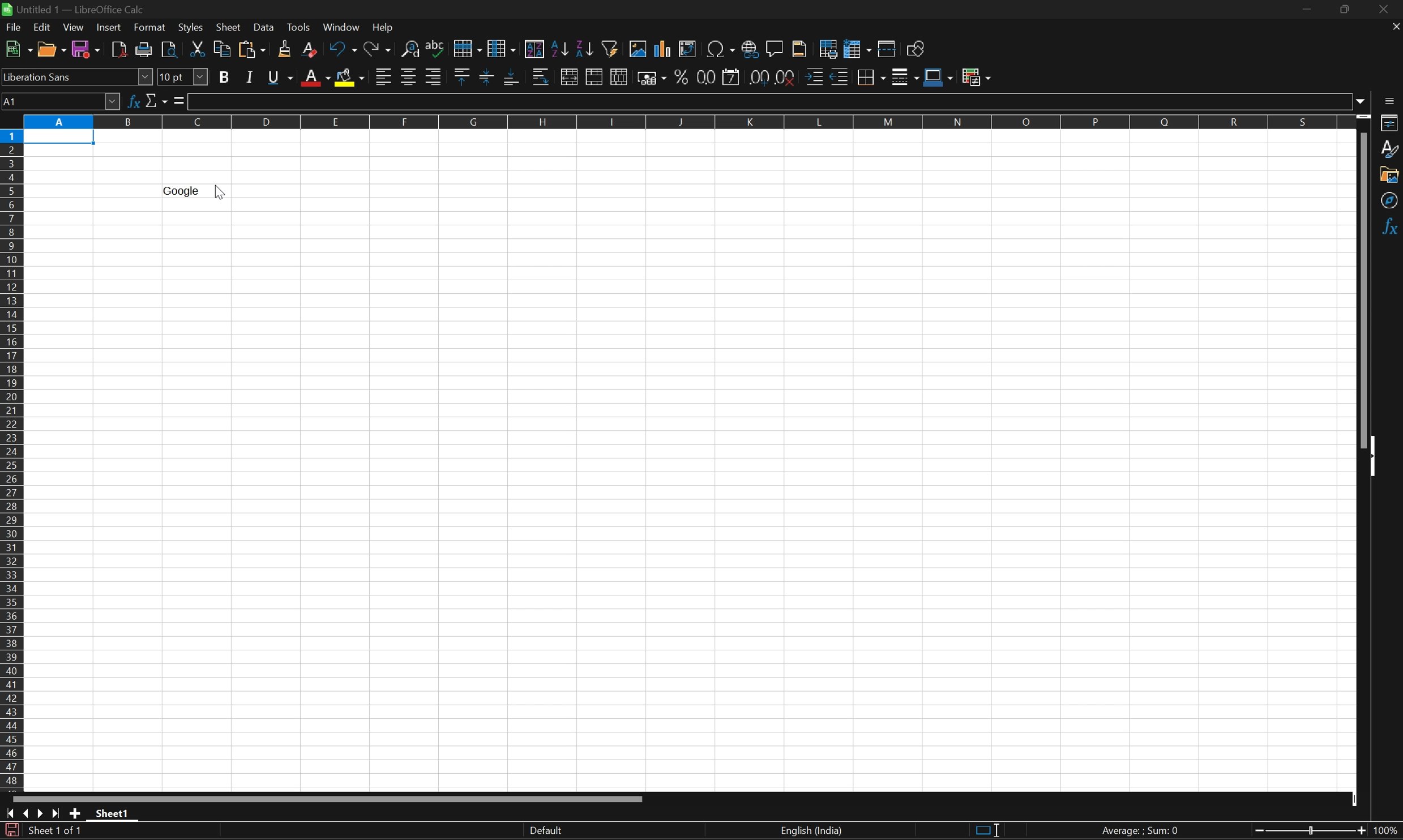 This screenshot has width=1403, height=840. Describe the element at coordinates (251, 50) in the screenshot. I see `Paste` at that location.